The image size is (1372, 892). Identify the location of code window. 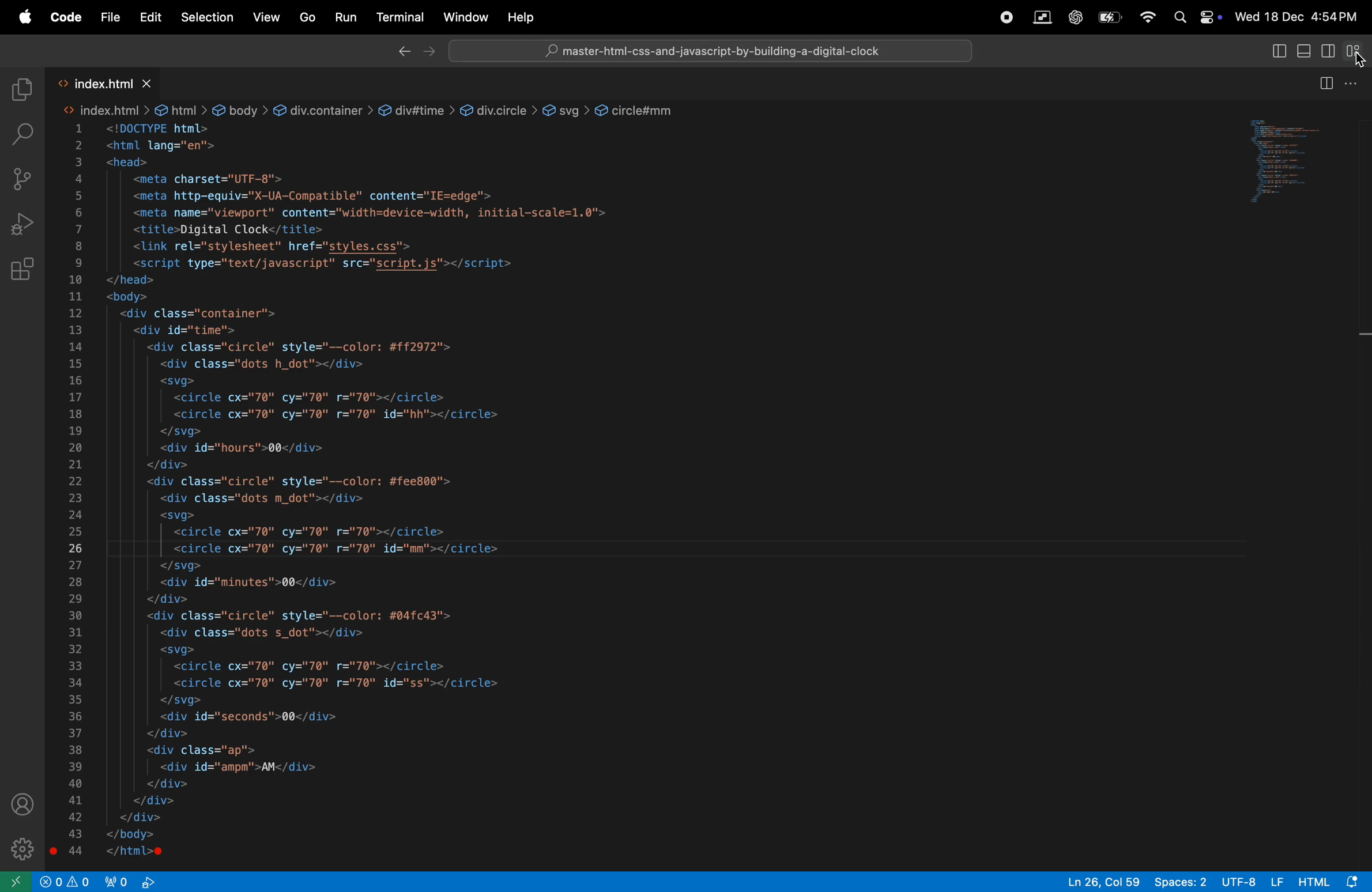
(1304, 159).